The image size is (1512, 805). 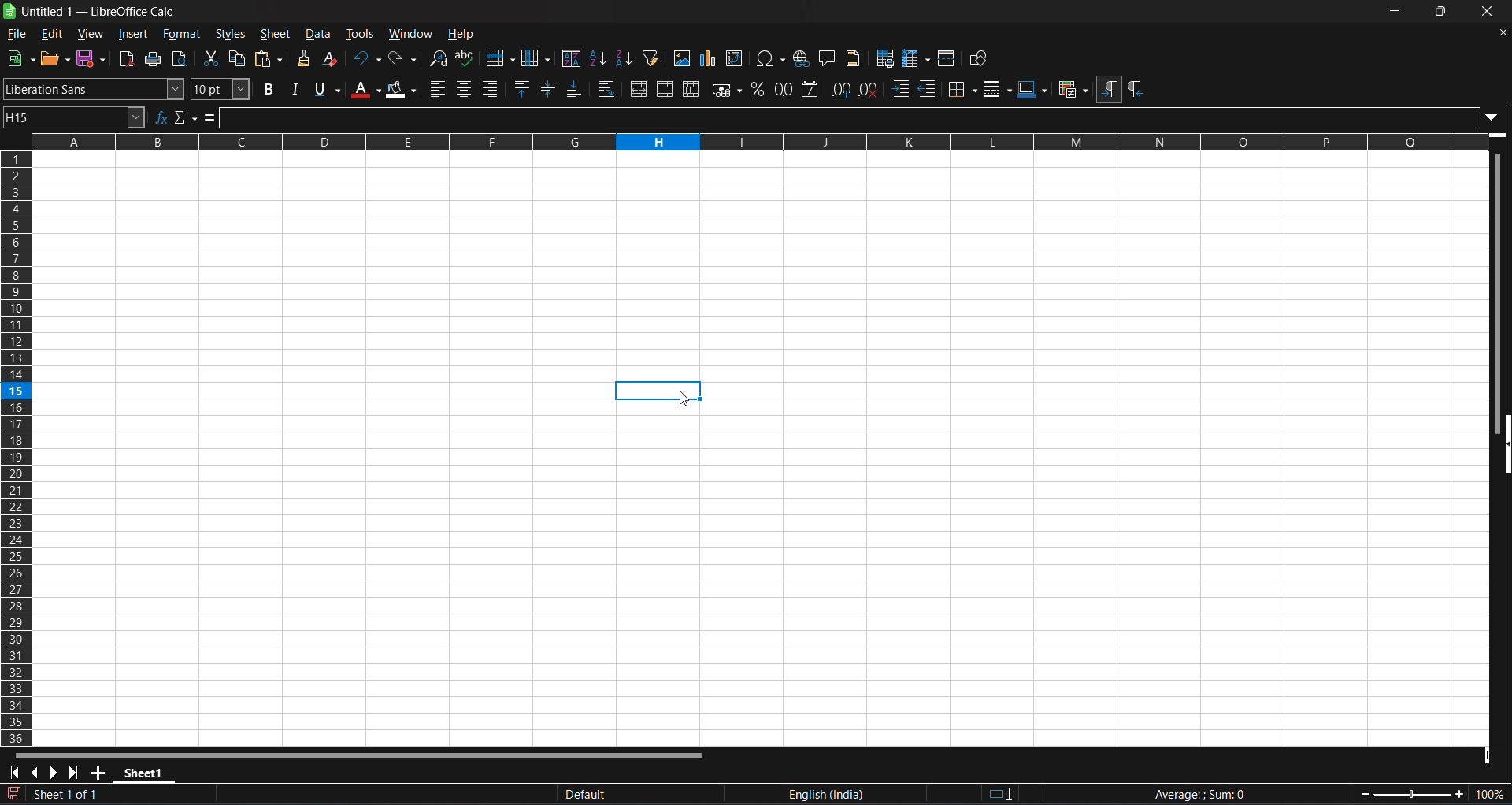 What do you see at coordinates (182, 59) in the screenshot?
I see `toggle print view` at bounding box center [182, 59].